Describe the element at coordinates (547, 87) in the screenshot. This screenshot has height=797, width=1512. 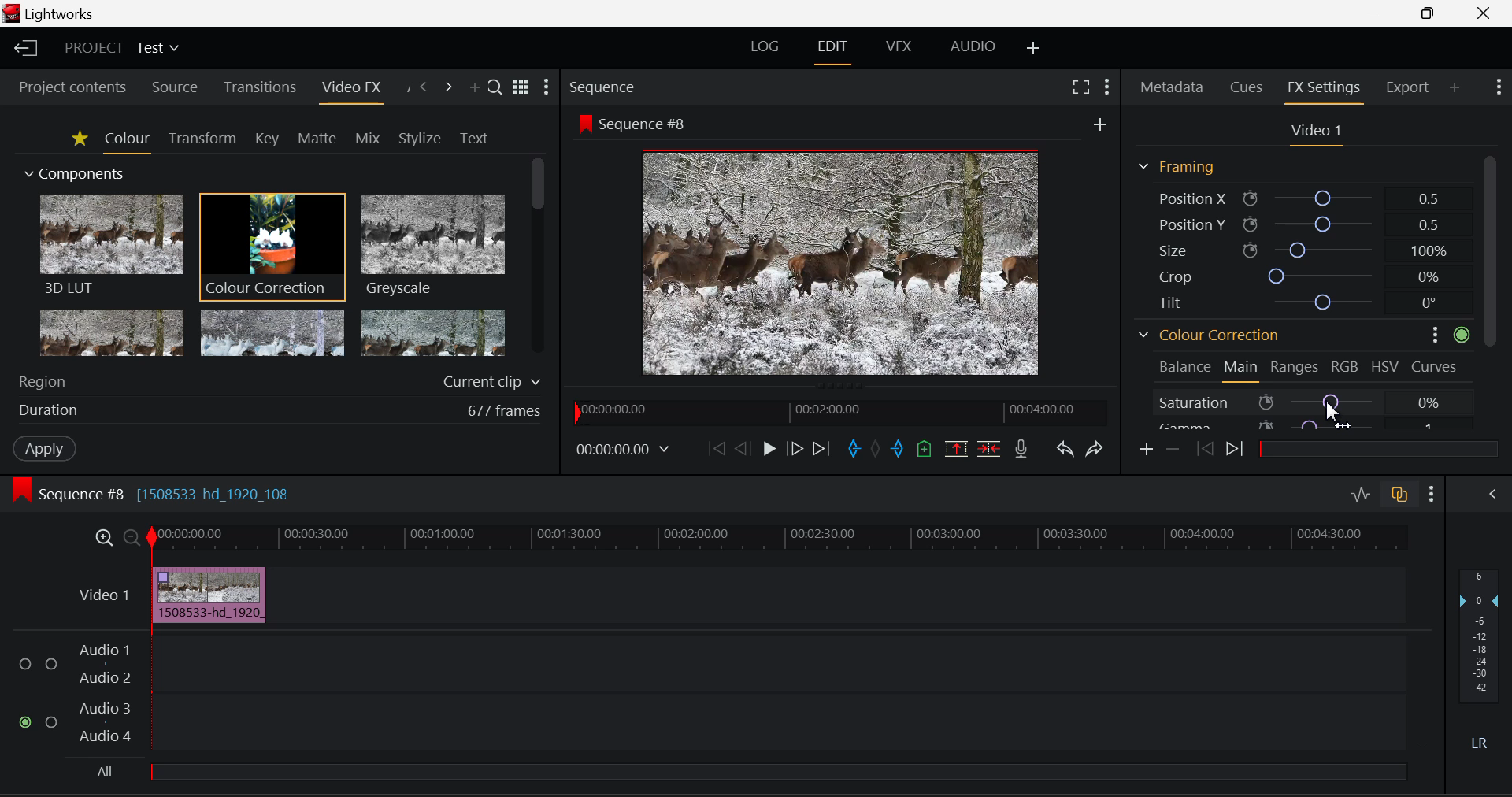
I see `Show Settings` at that location.